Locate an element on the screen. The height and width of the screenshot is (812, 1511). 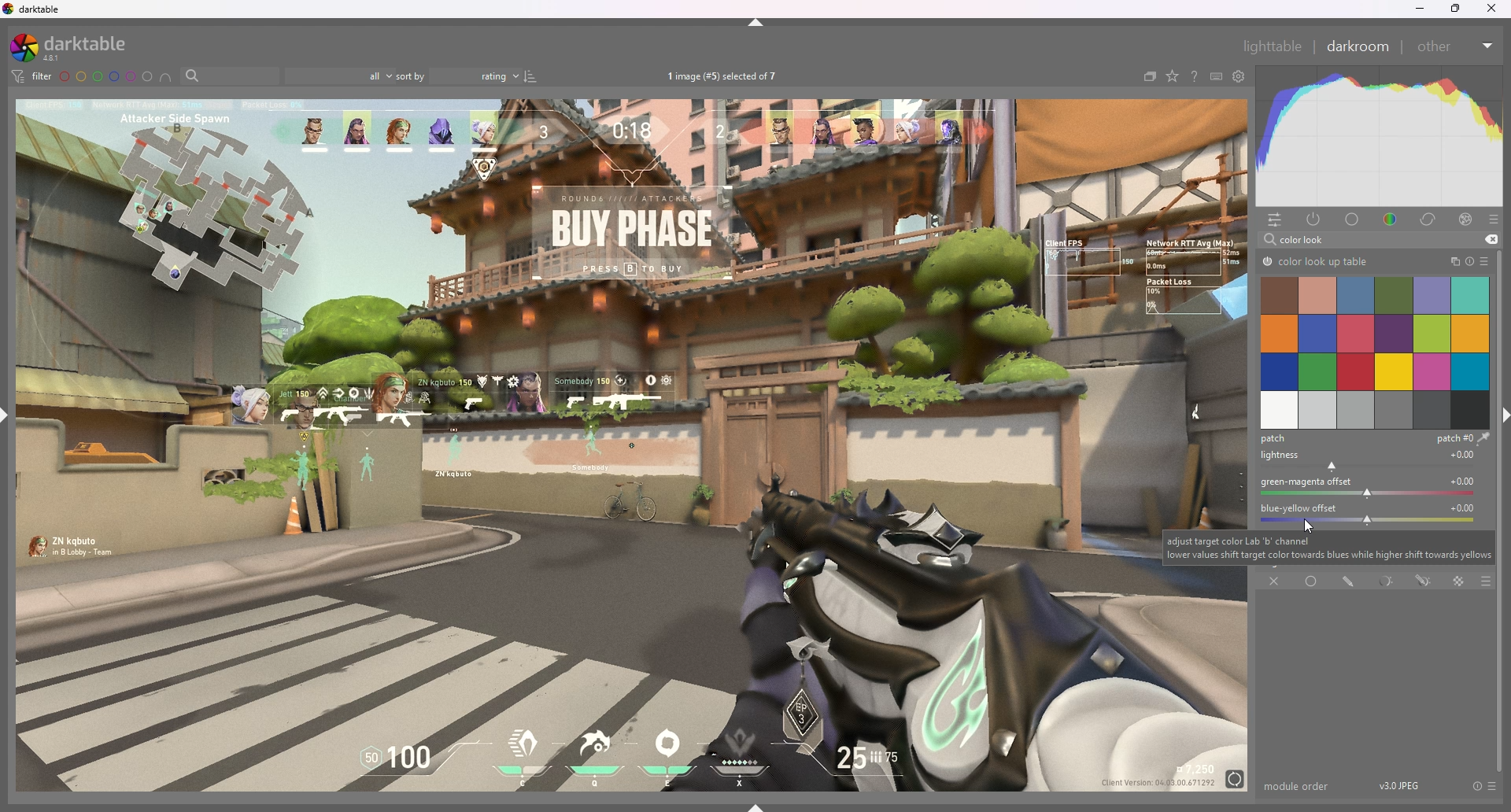
base is located at coordinates (1354, 219).